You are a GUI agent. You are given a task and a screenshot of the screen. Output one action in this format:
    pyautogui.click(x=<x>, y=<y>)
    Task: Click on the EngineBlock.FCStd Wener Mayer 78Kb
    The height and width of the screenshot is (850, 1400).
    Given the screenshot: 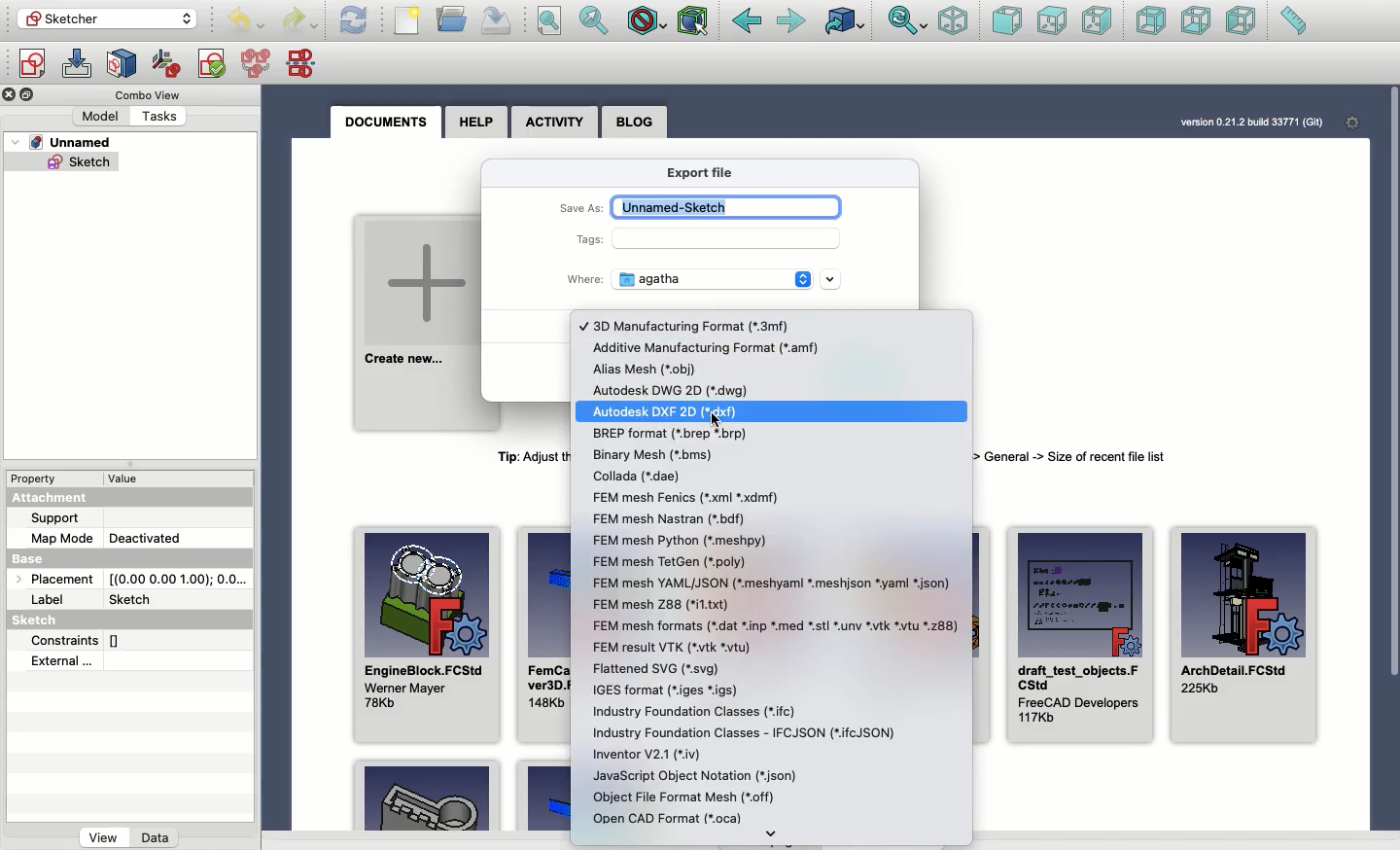 What is the action you would take?
    pyautogui.click(x=429, y=635)
    